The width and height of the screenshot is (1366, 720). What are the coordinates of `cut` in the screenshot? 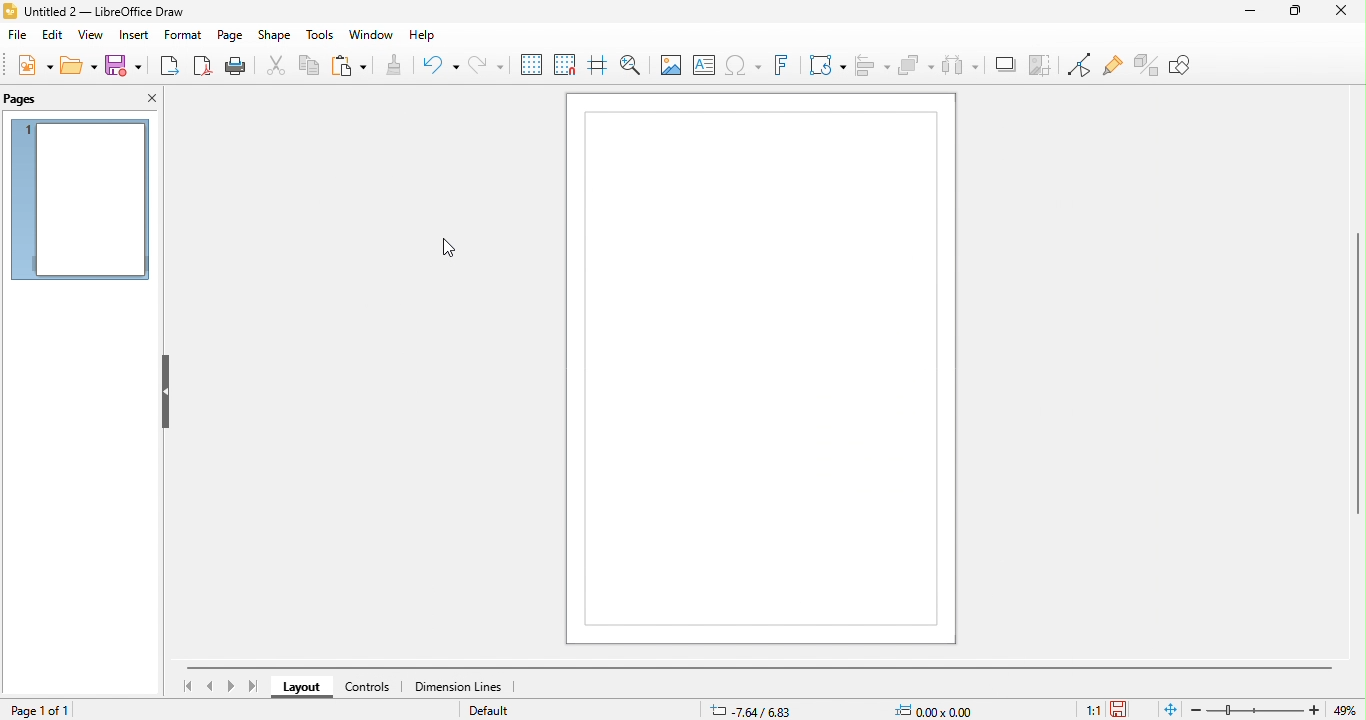 It's located at (277, 68).